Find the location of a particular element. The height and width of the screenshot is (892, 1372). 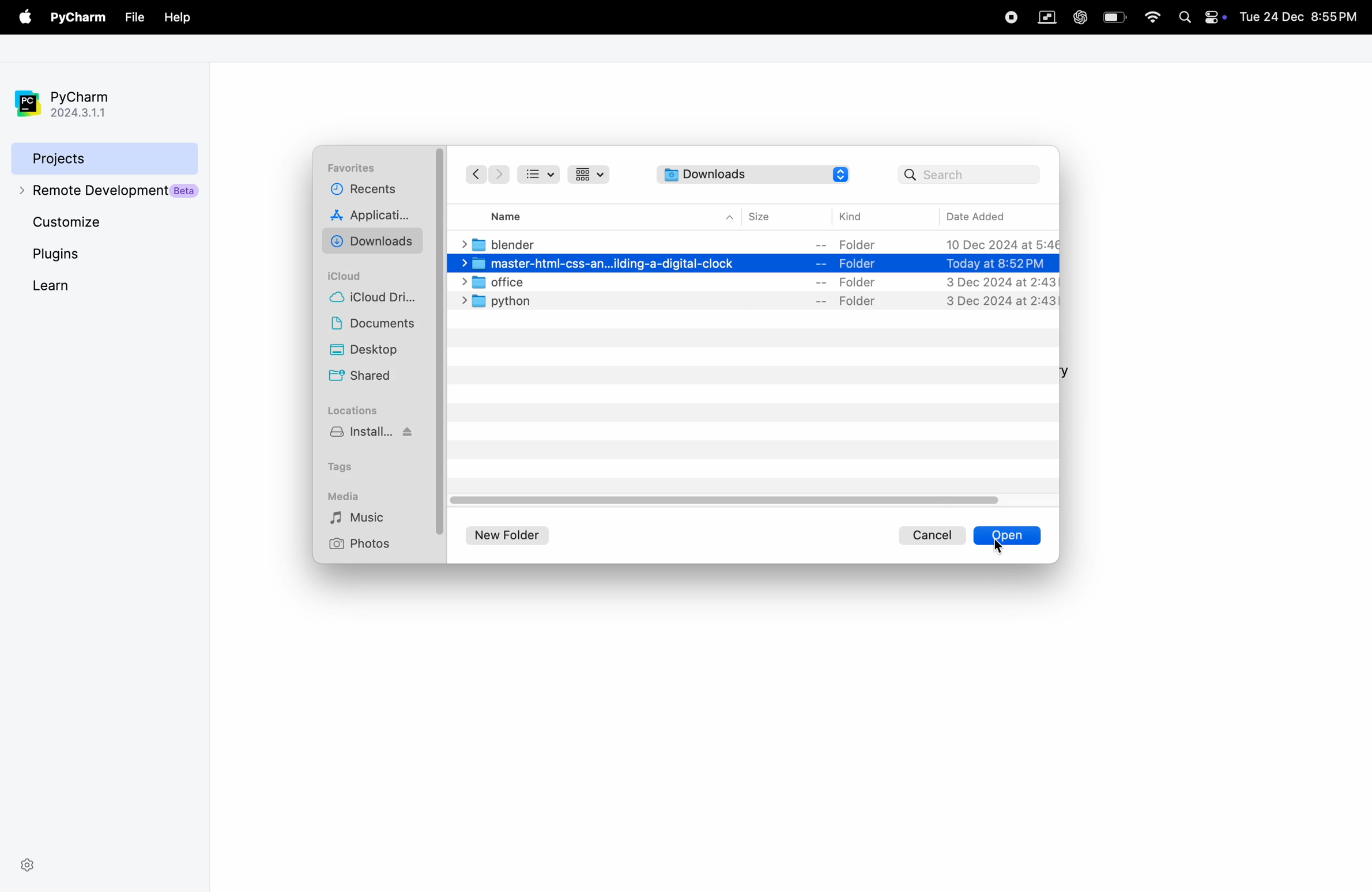

scroll bar is located at coordinates (729, 500).